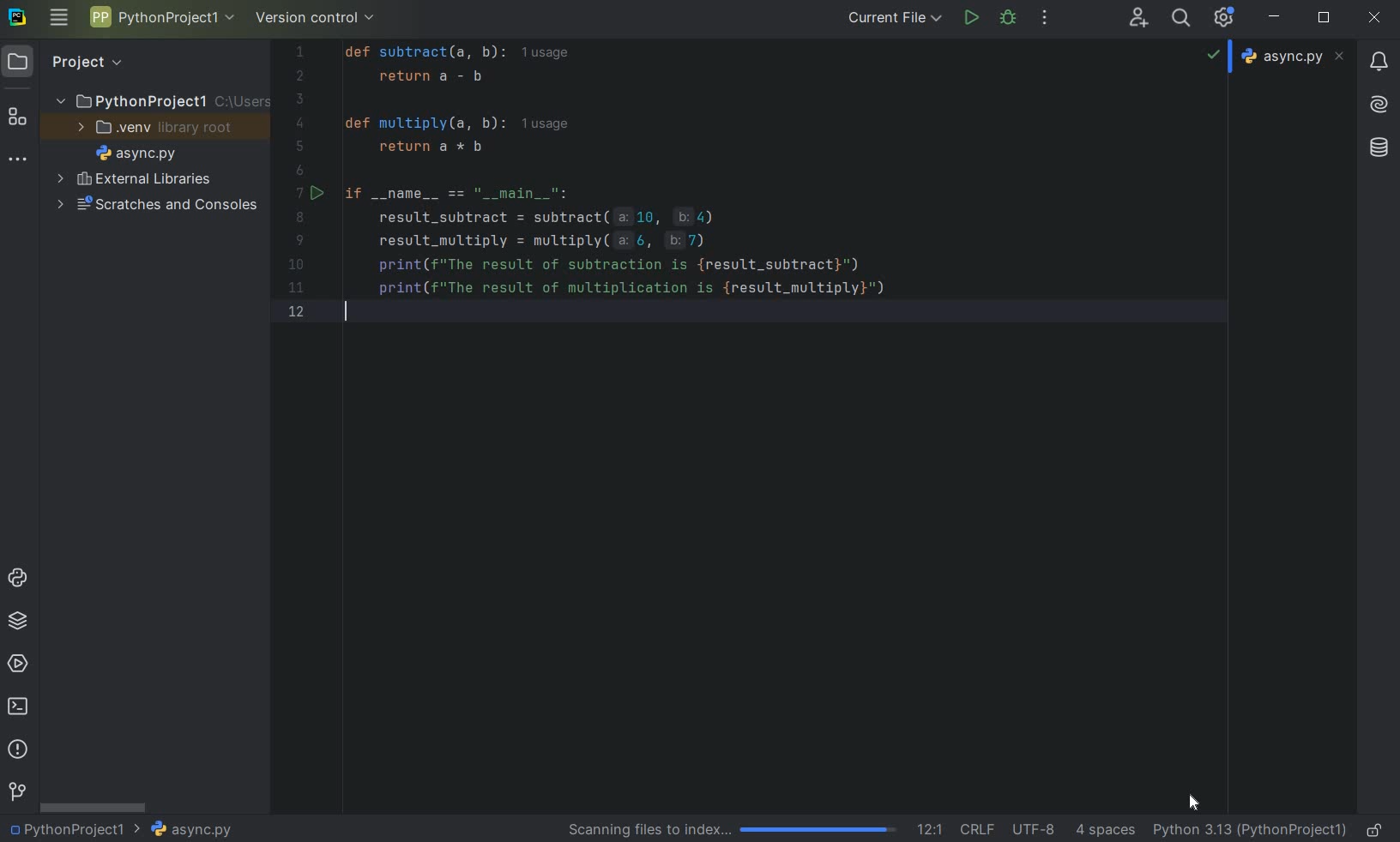 The image size is (1400, 842). What do you see at coordinates (1043, 19) in the screenshot?
I see `more actions` at bounding box center [1043, 19].